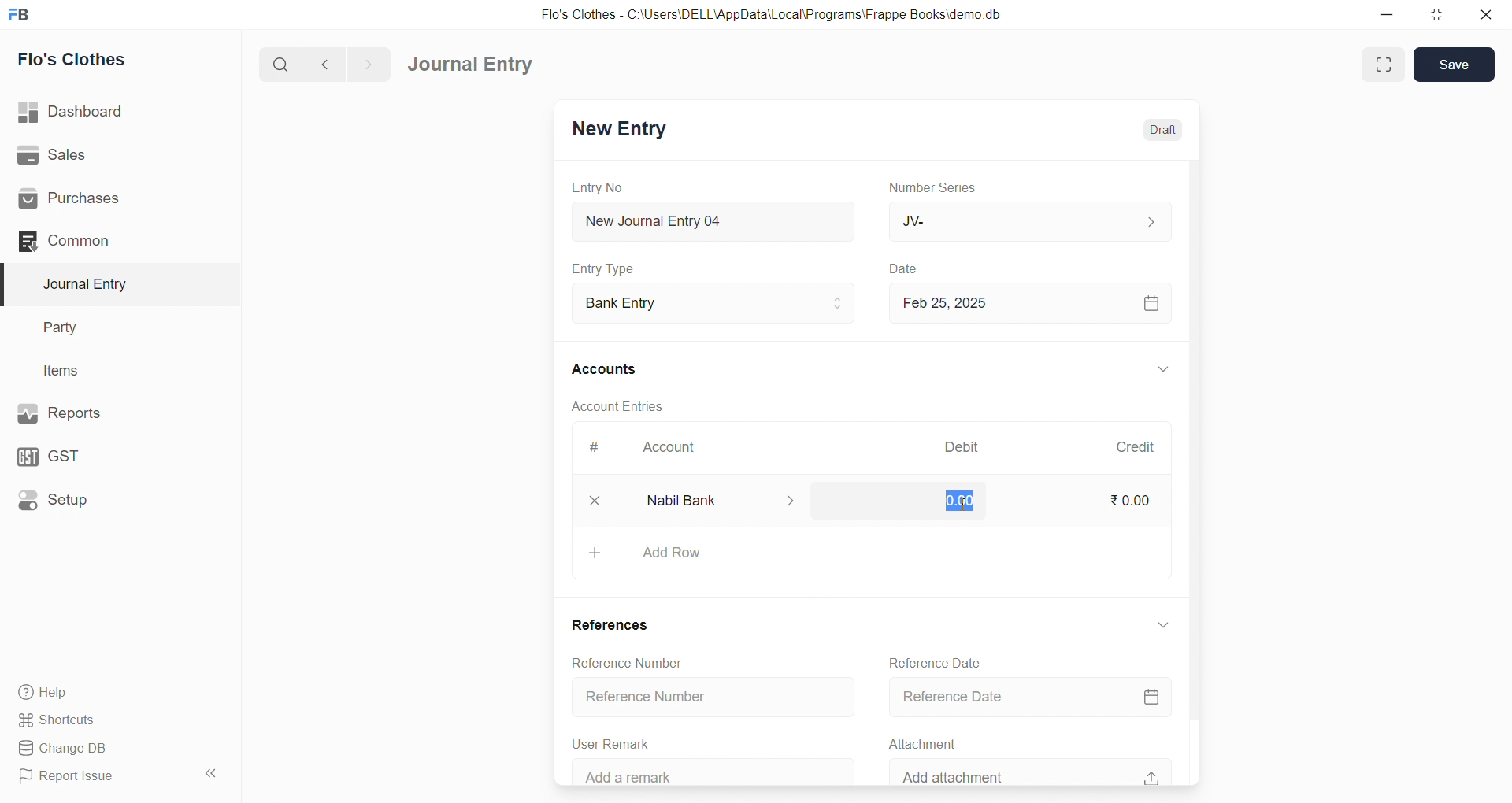 The image size is (1512, 803). What do you see at coordinates (906, 269) in the screenshot?
I see `Date` at bounding box center [906, 269].